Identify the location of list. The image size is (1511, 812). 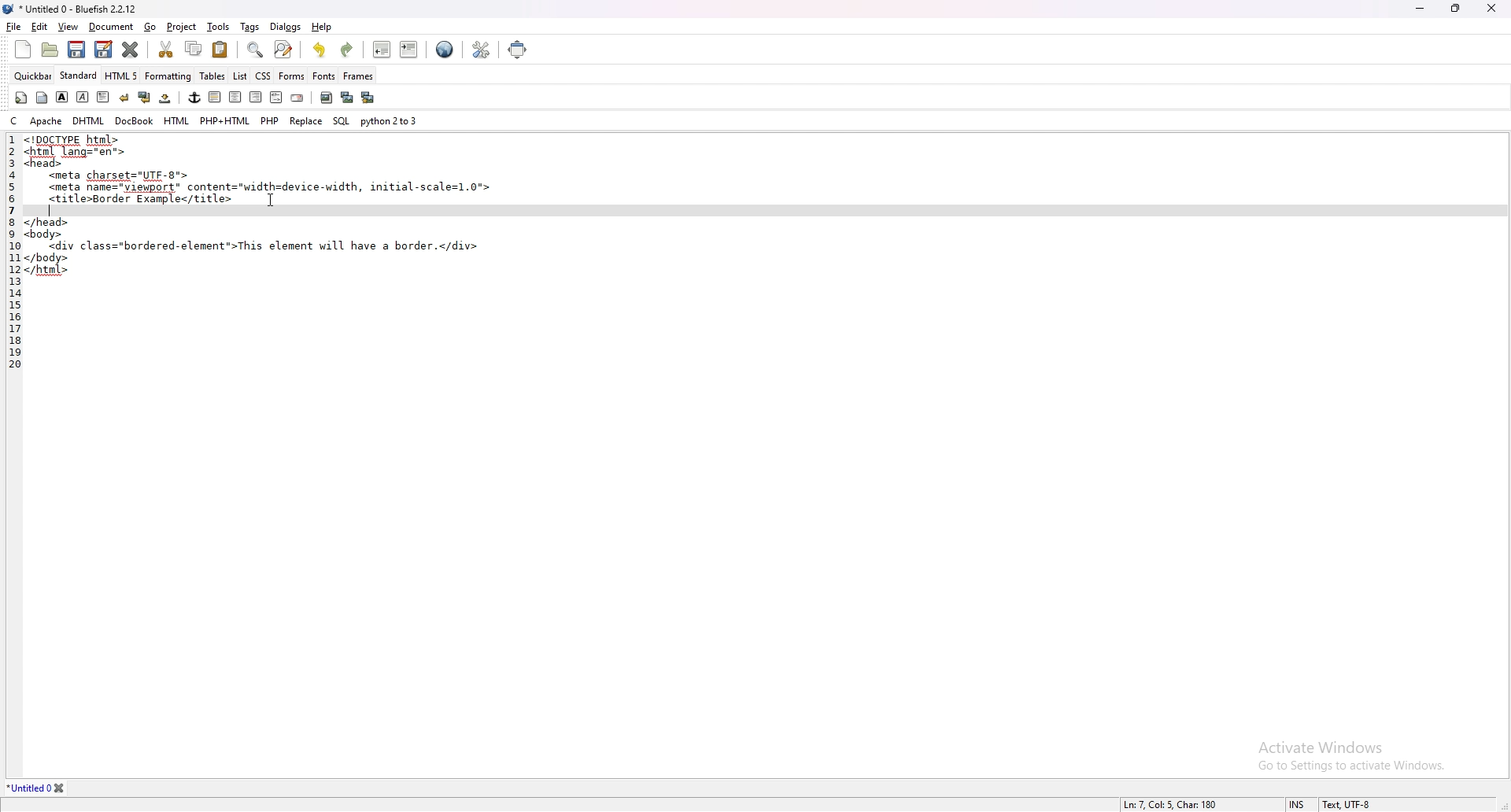
(240, 76).